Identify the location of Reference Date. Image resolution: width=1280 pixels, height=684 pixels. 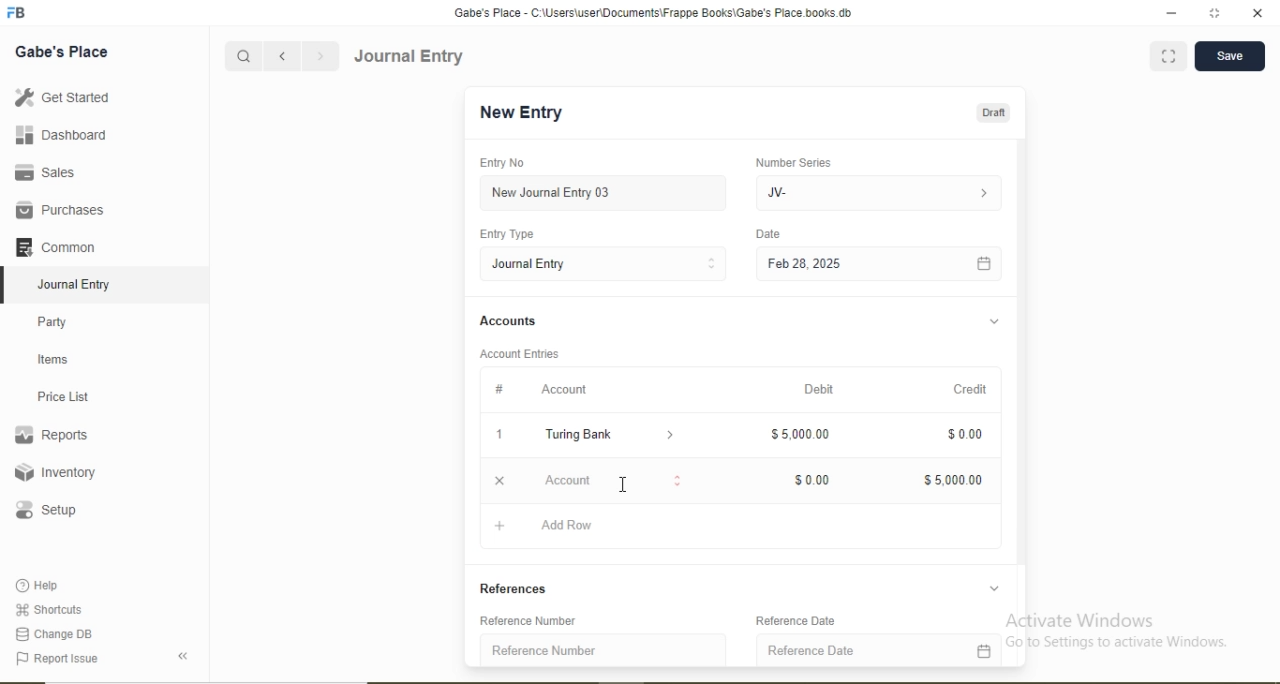
(812, 650).